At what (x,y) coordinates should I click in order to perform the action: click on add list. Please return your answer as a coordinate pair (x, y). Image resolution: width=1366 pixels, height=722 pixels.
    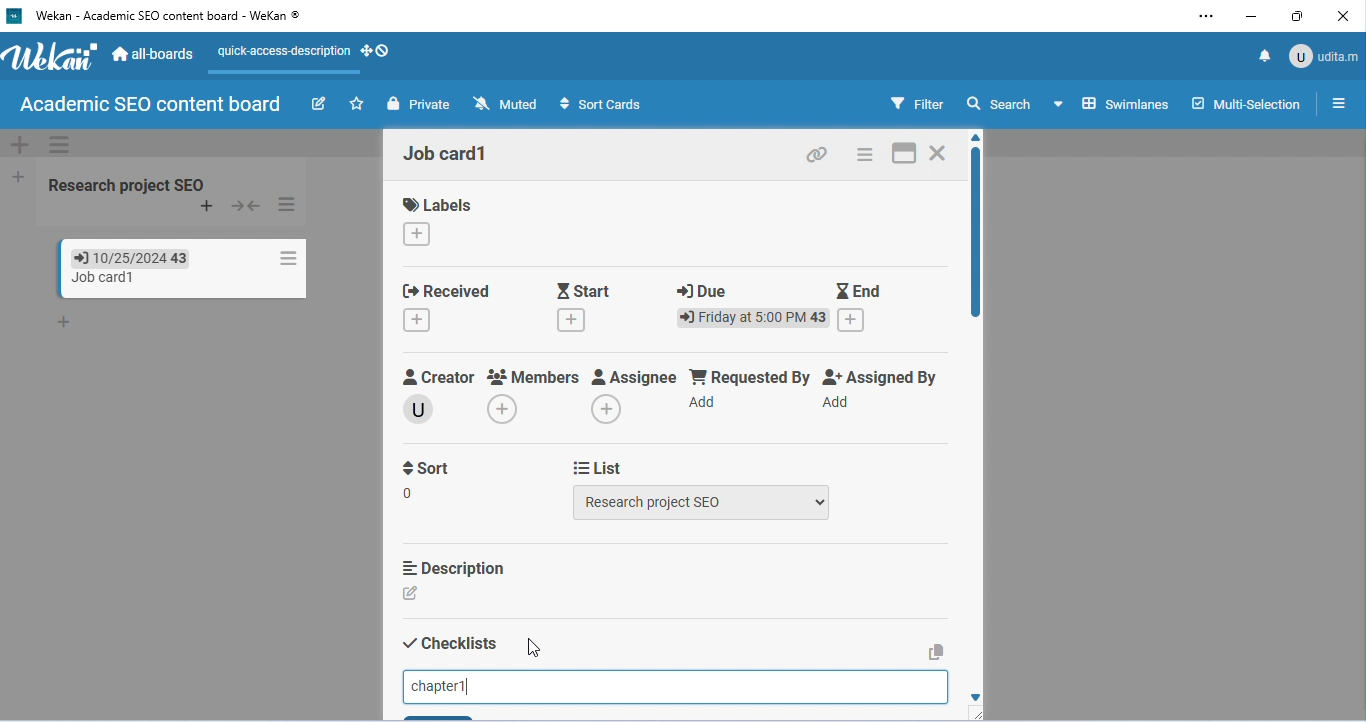
    Looking at the image, I should click on (15, 175).